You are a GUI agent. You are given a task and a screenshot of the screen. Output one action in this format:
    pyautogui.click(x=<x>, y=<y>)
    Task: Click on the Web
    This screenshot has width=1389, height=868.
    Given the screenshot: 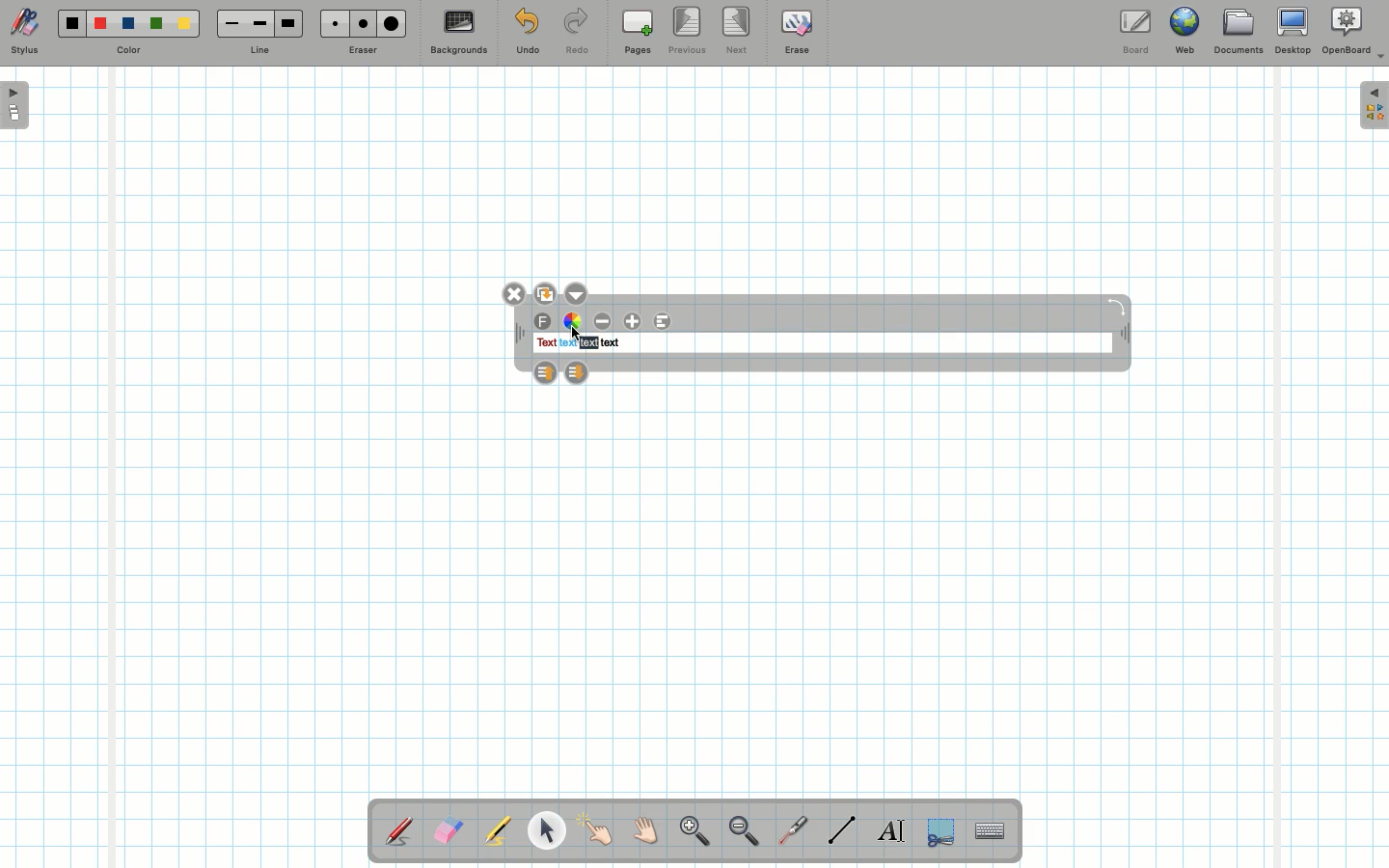 What is the action you would take?
    pyautogui.click(x=1184, y=35)
    